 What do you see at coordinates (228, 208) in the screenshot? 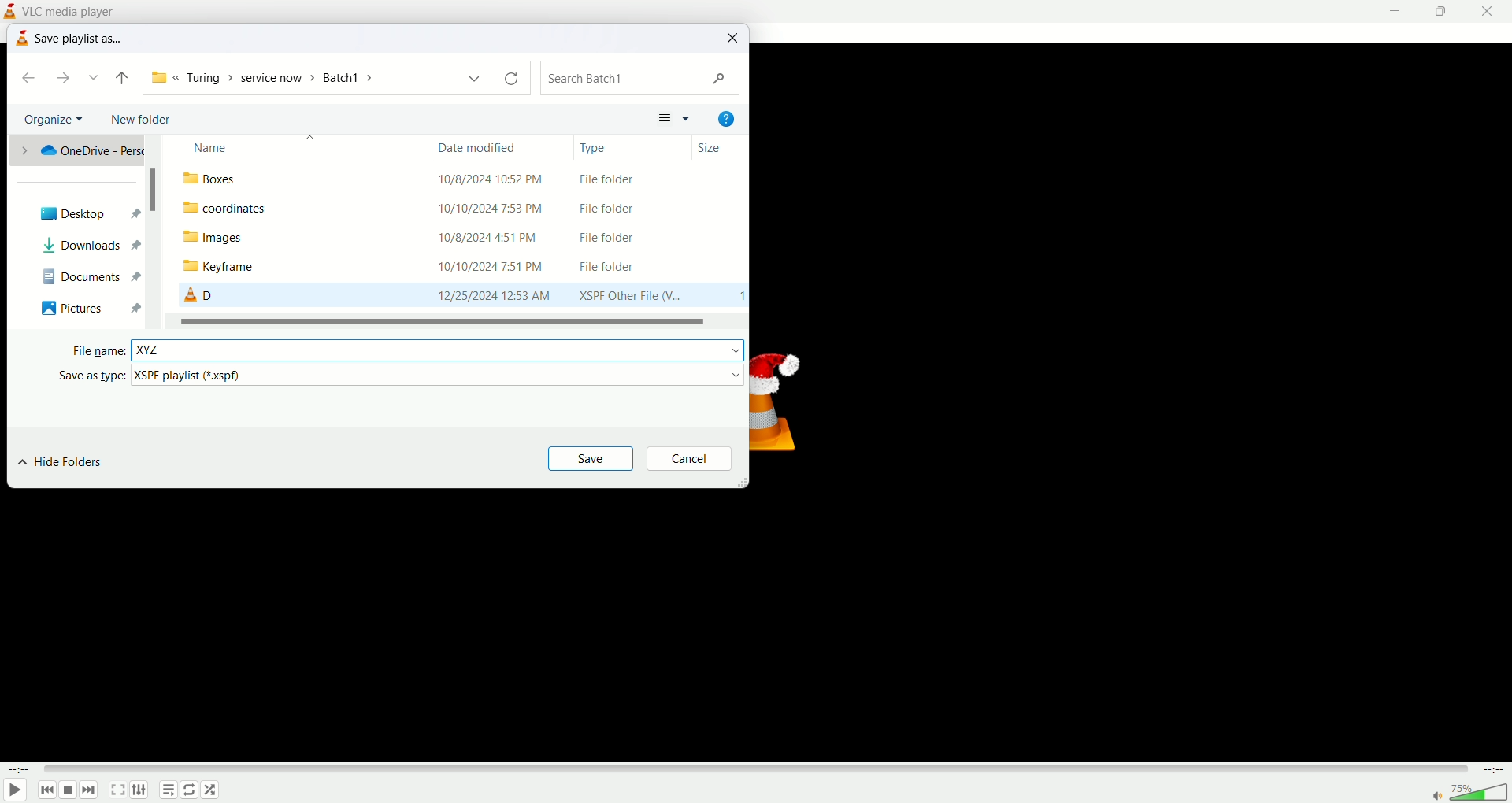
I see `coordinates` at bounding box center [228, 208].